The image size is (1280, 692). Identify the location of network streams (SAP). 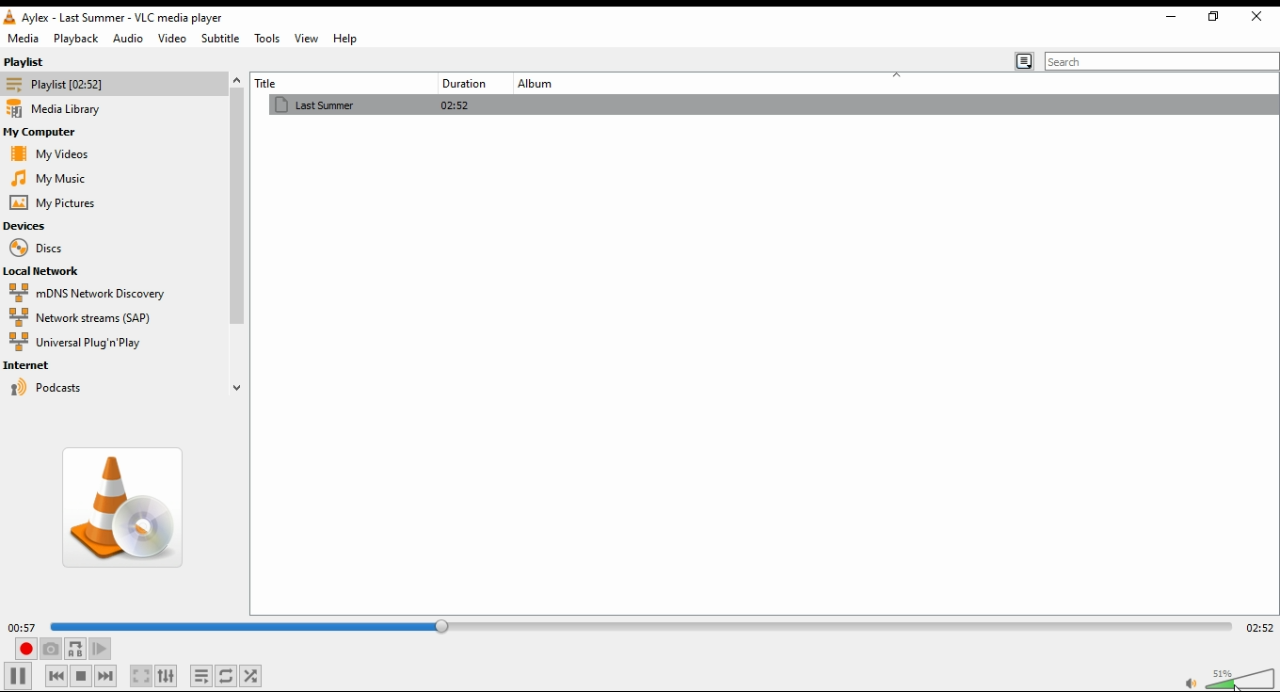
(98, 317).